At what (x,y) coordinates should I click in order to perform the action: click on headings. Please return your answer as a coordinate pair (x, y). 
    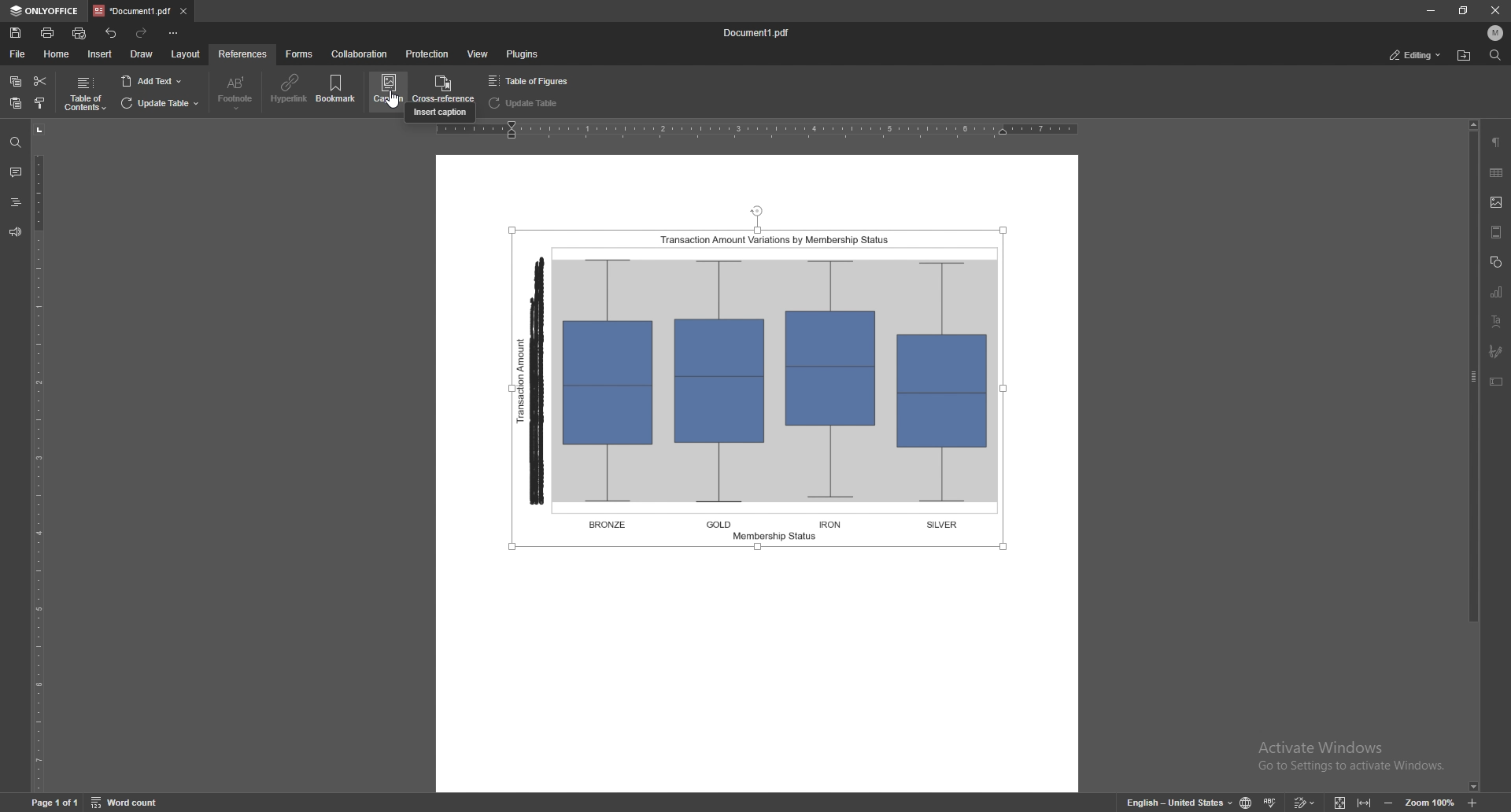
    Looking at the image, I should click on (16, 202).